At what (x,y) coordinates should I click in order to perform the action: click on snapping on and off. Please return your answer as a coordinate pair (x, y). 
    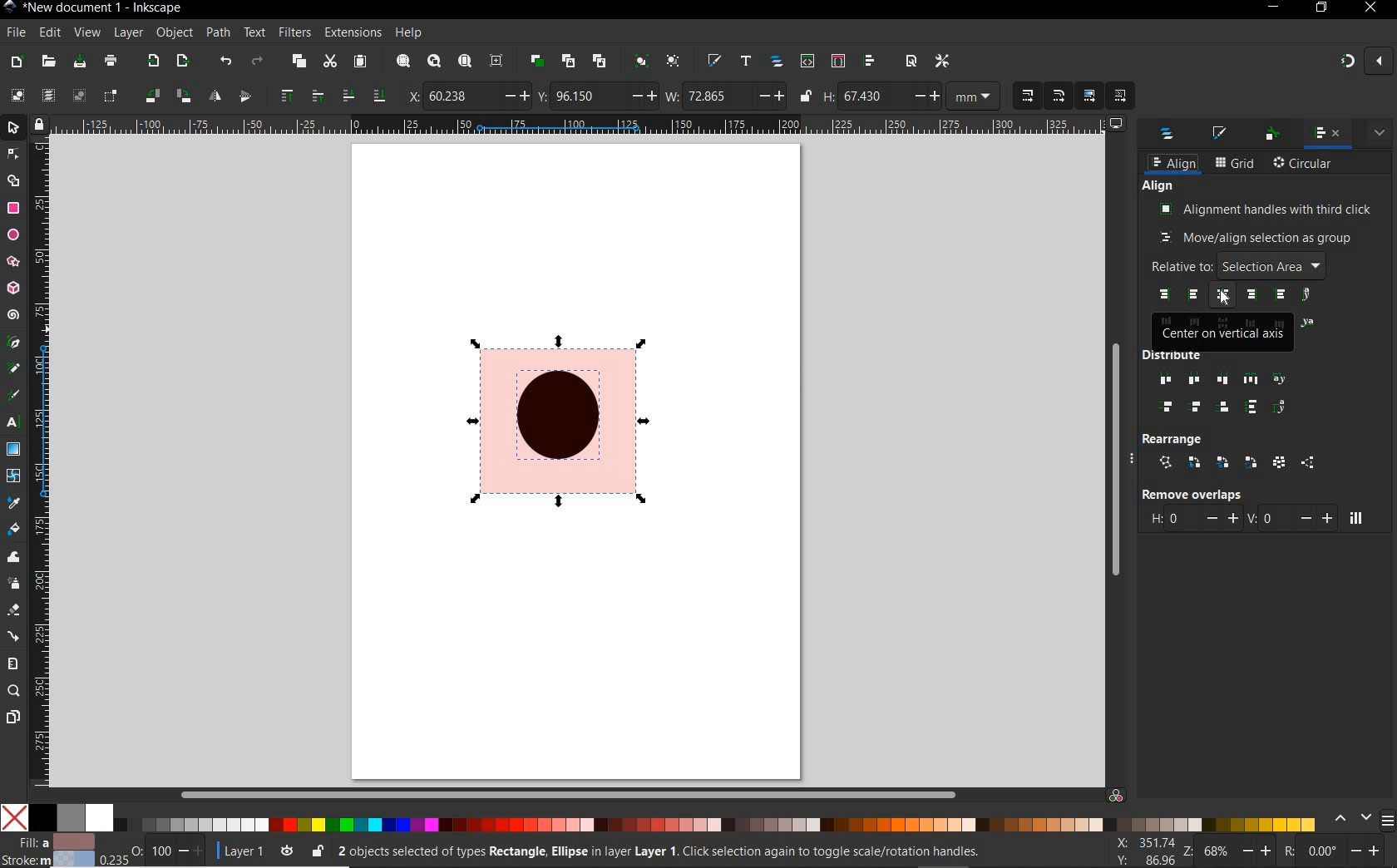
    Looking at the image, I should click on (1365, 60).